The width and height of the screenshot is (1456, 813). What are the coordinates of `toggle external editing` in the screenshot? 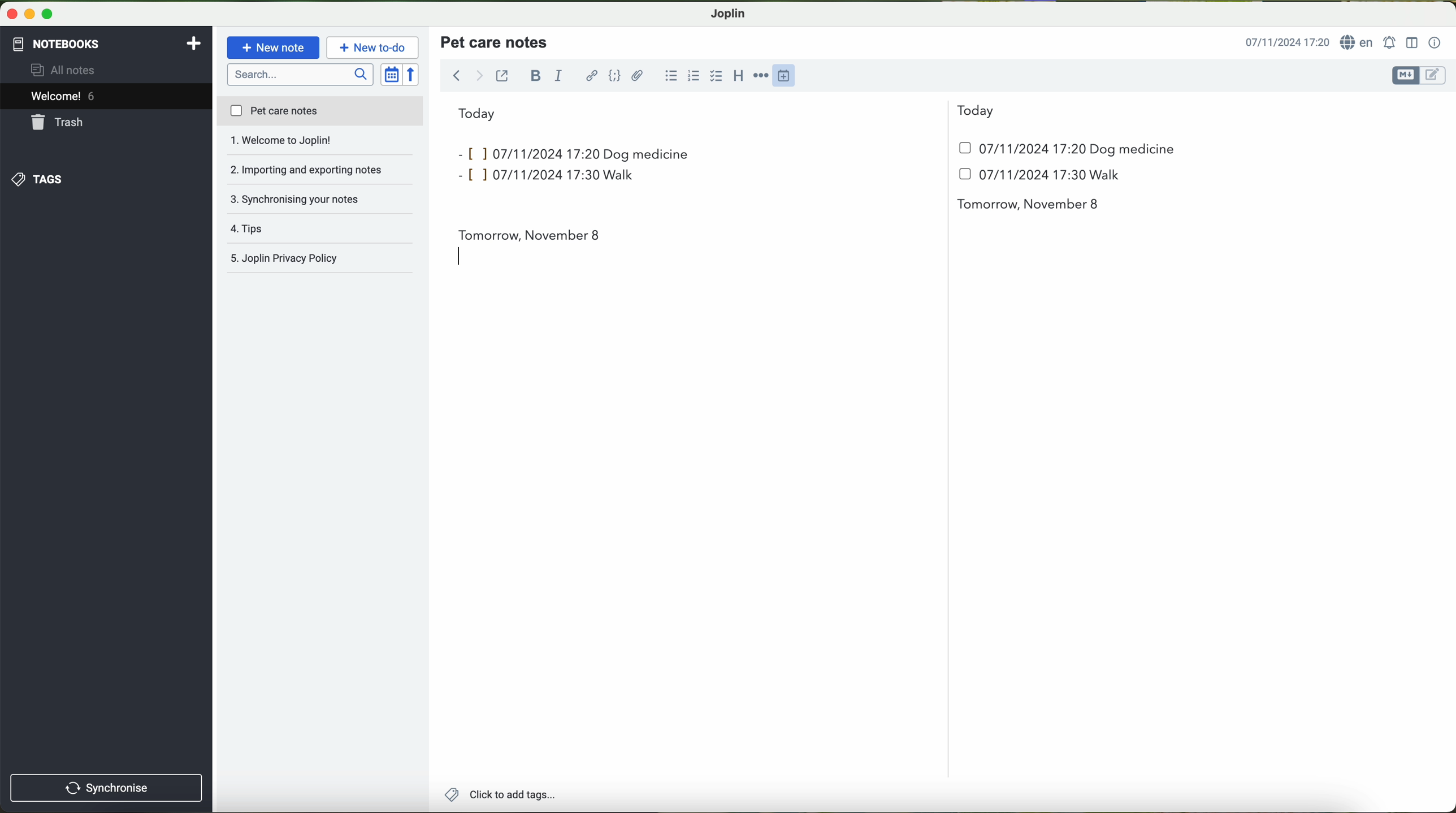 It's located at (502, 75).